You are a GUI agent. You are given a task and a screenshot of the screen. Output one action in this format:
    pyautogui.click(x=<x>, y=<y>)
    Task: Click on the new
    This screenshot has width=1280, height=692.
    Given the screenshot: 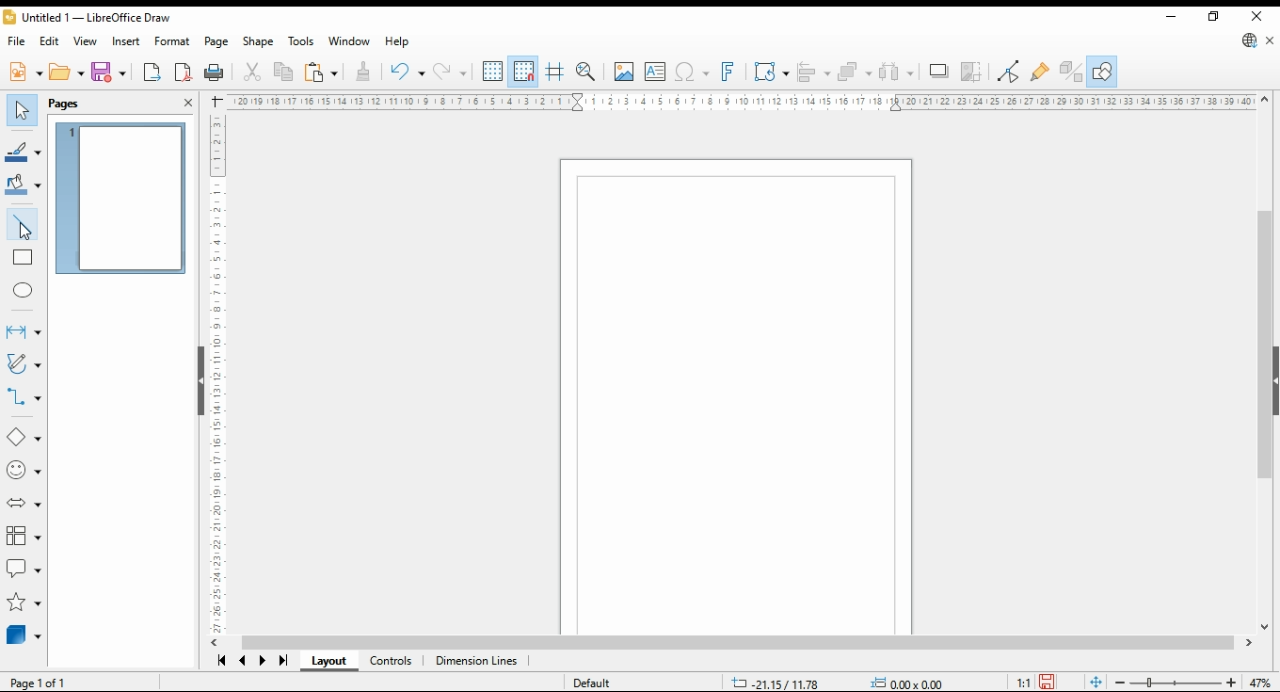 What is the action you would take?
    pyautogui.click(x=24, y=74)
    